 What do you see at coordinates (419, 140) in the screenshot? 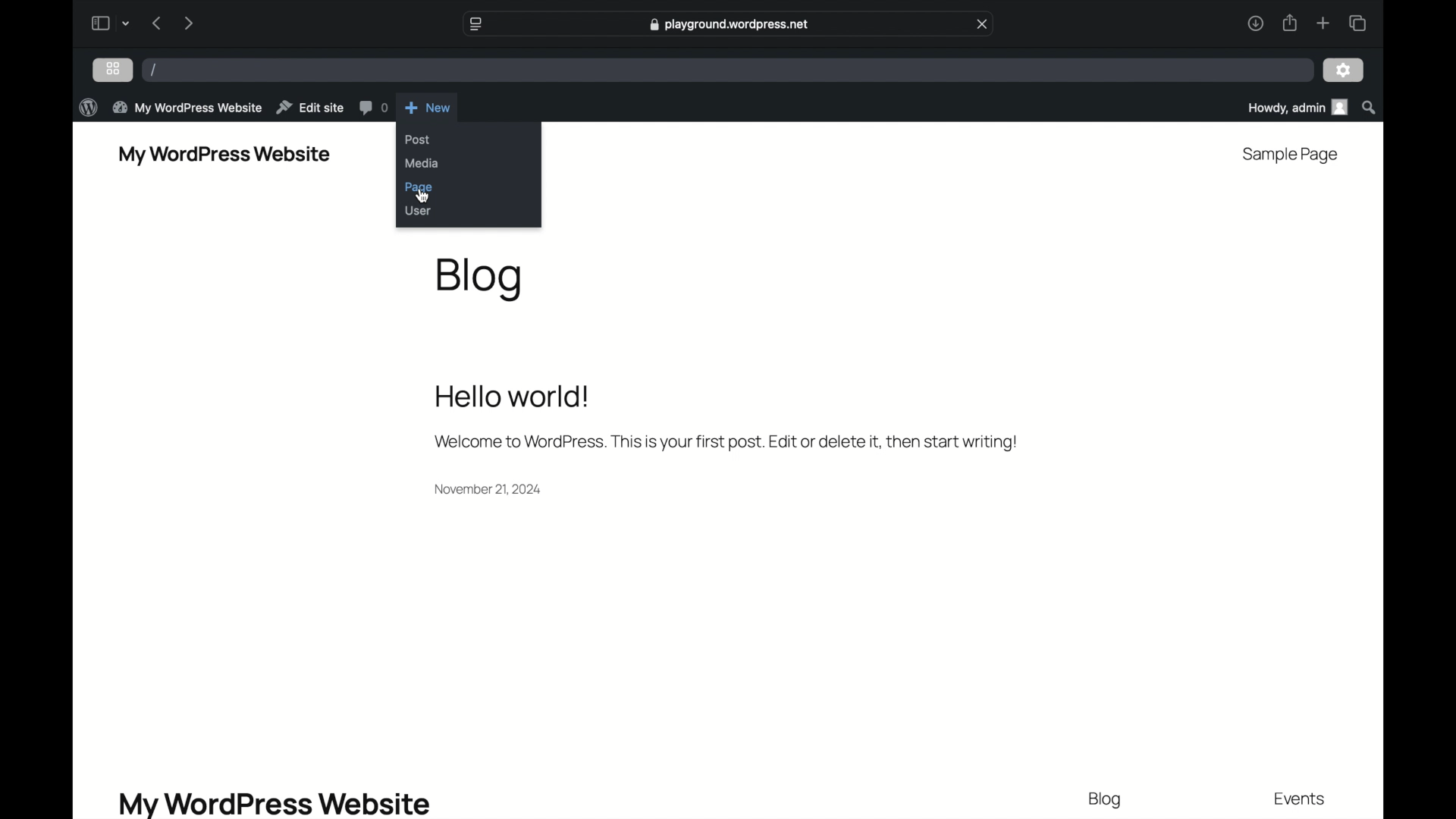
I see `post` at bounding box center [419, 140].